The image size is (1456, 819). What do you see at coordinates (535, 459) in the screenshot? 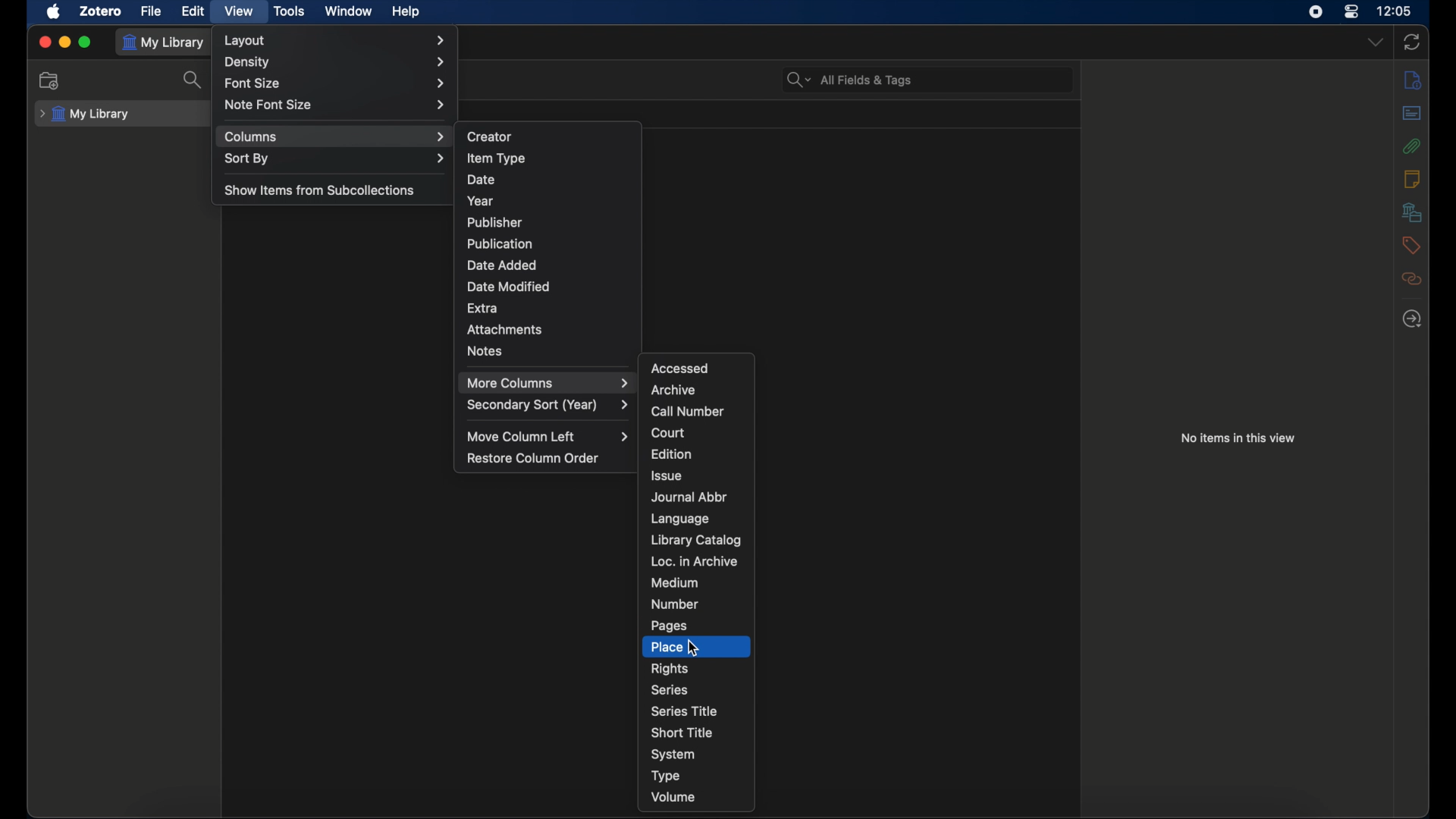
I see `restore column order` at bounding box center [535, 459].